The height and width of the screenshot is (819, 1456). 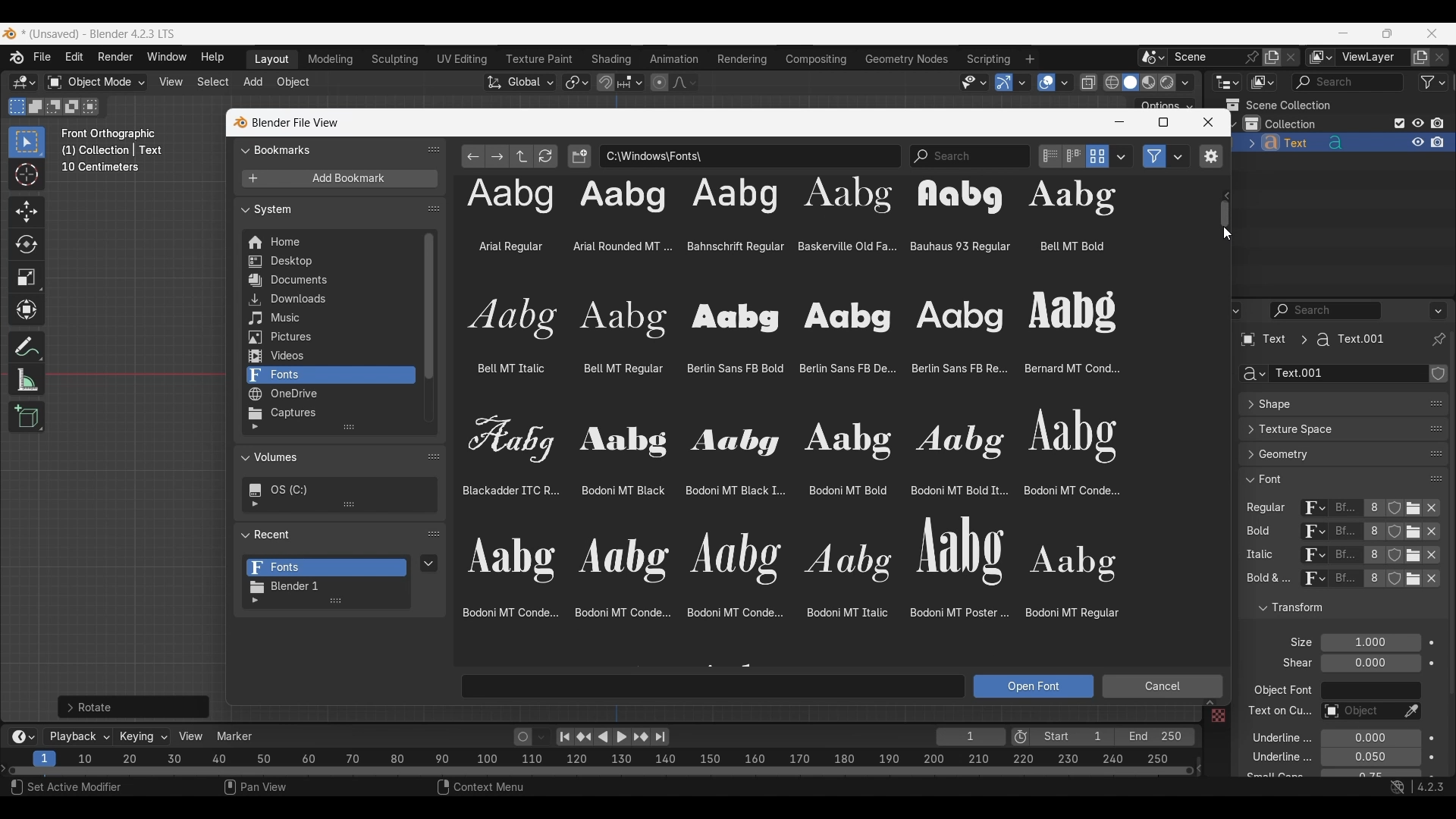 I want to click on Vertical slide bar, so click(x=429, y=306).